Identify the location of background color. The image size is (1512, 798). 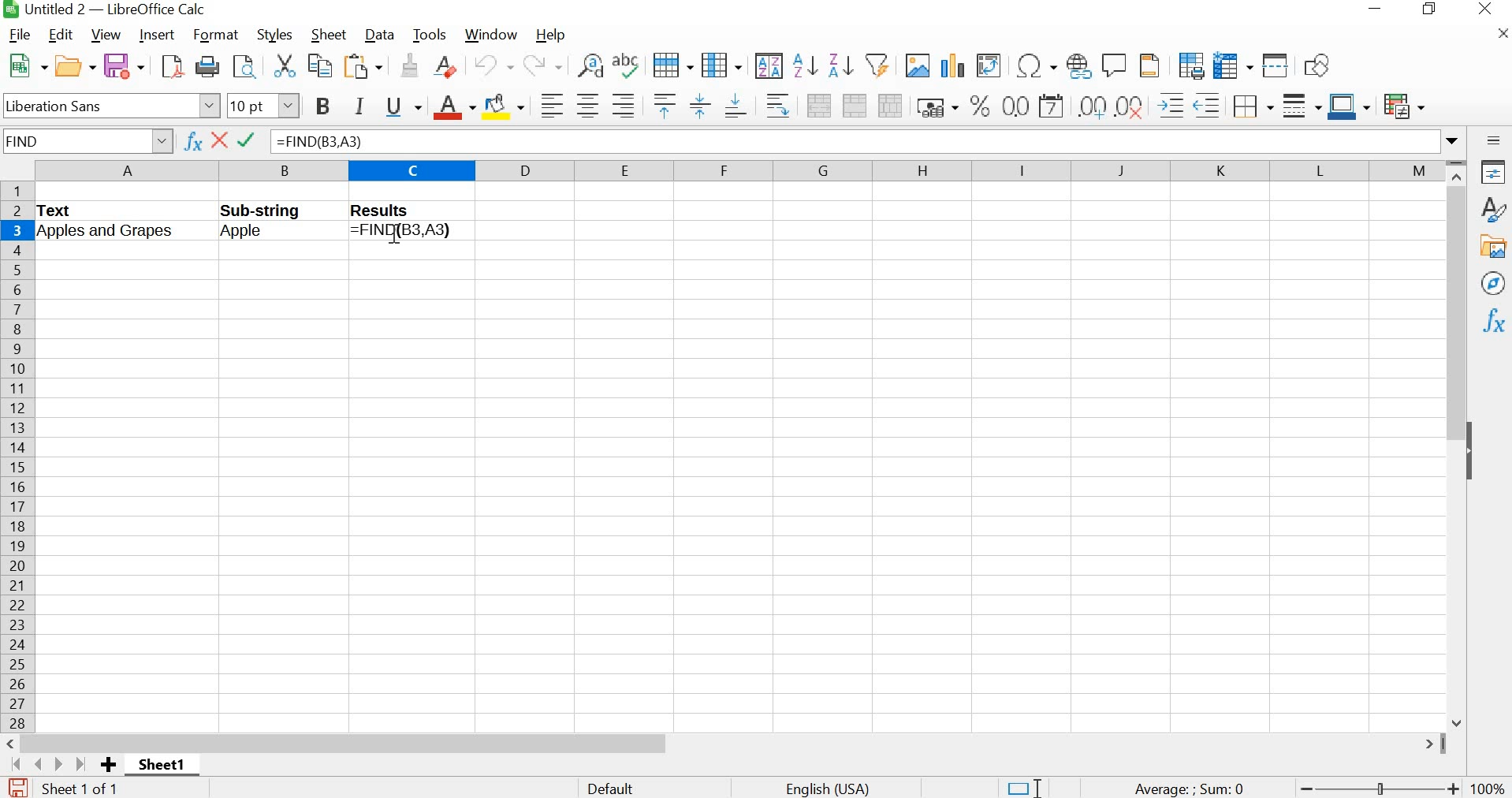
(505, 106).